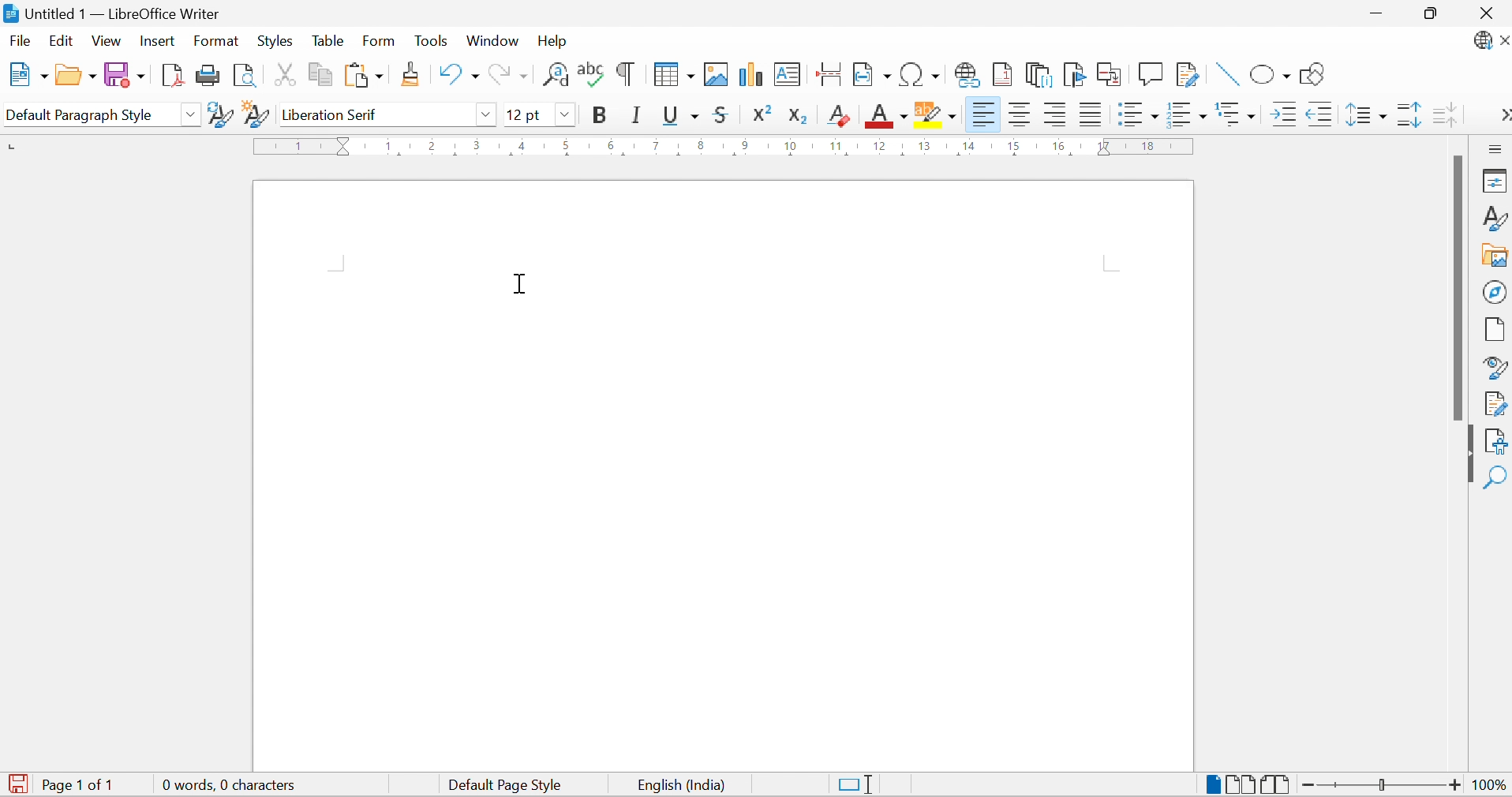 The height and width of the screenshot is (797, 1512). I want to click on Insert Table, so click(674, 75).